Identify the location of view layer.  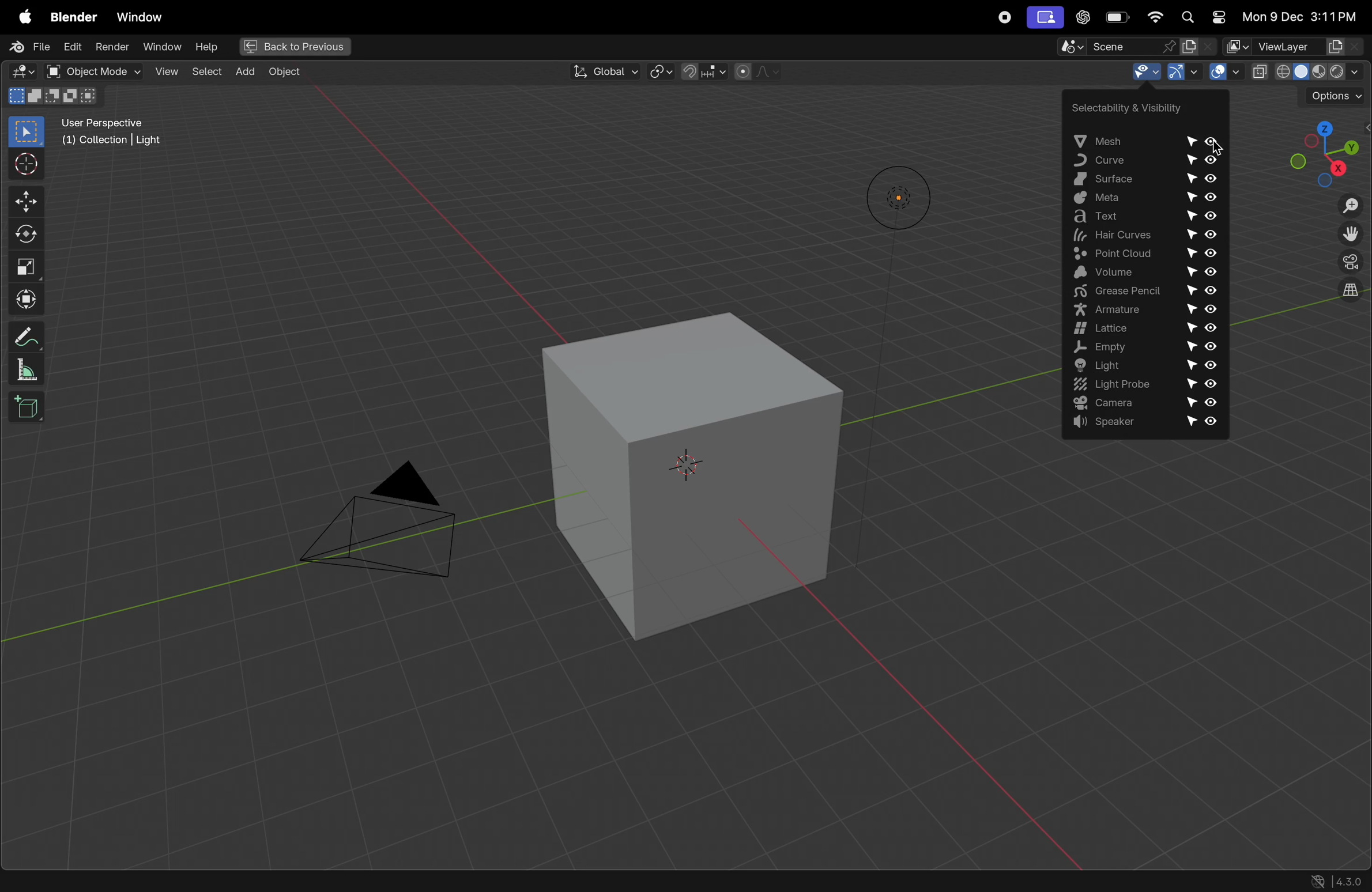
(1295, 47).